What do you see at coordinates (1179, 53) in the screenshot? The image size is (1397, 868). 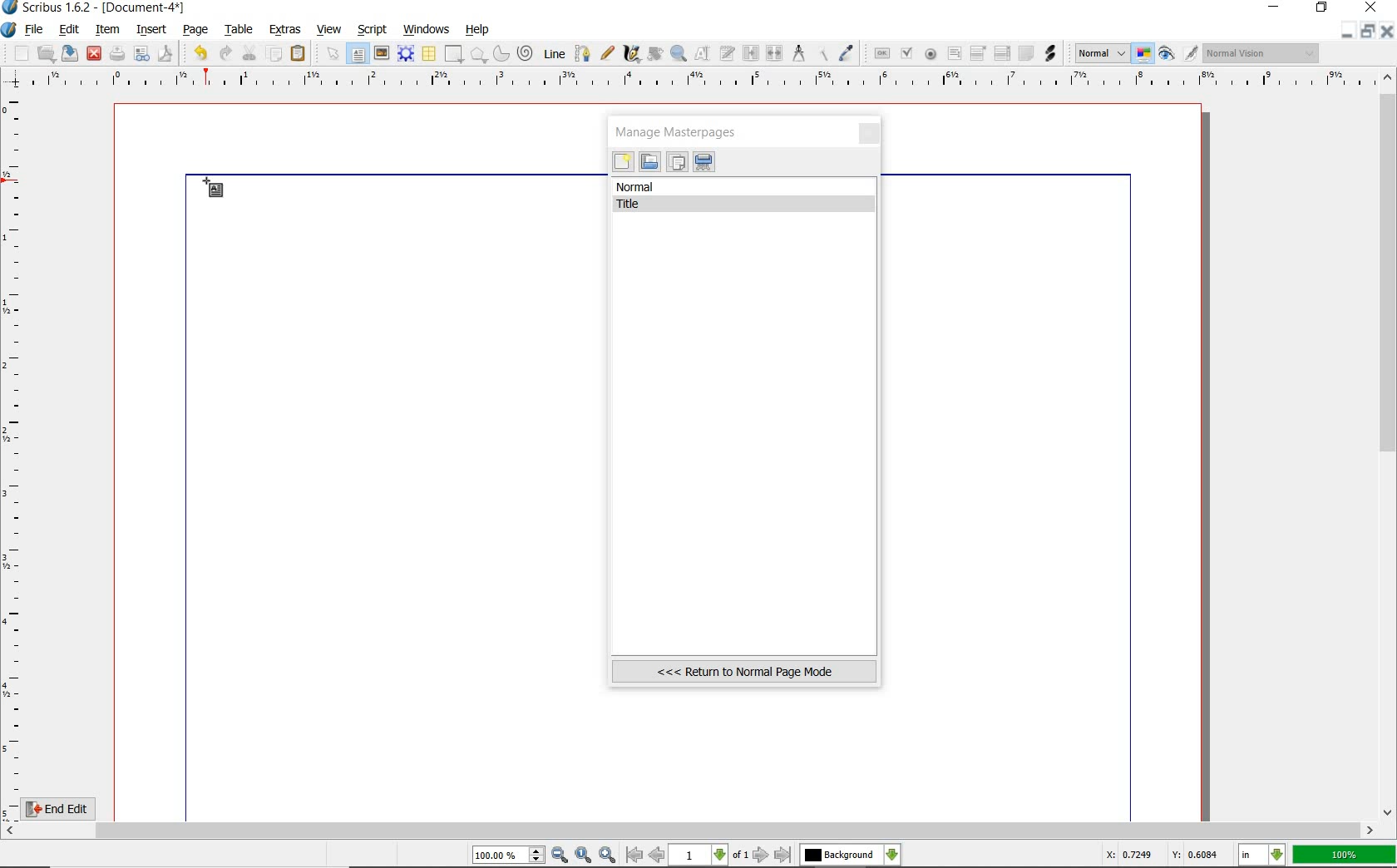 I see `preview mode` at bounding box center [1179, 53].